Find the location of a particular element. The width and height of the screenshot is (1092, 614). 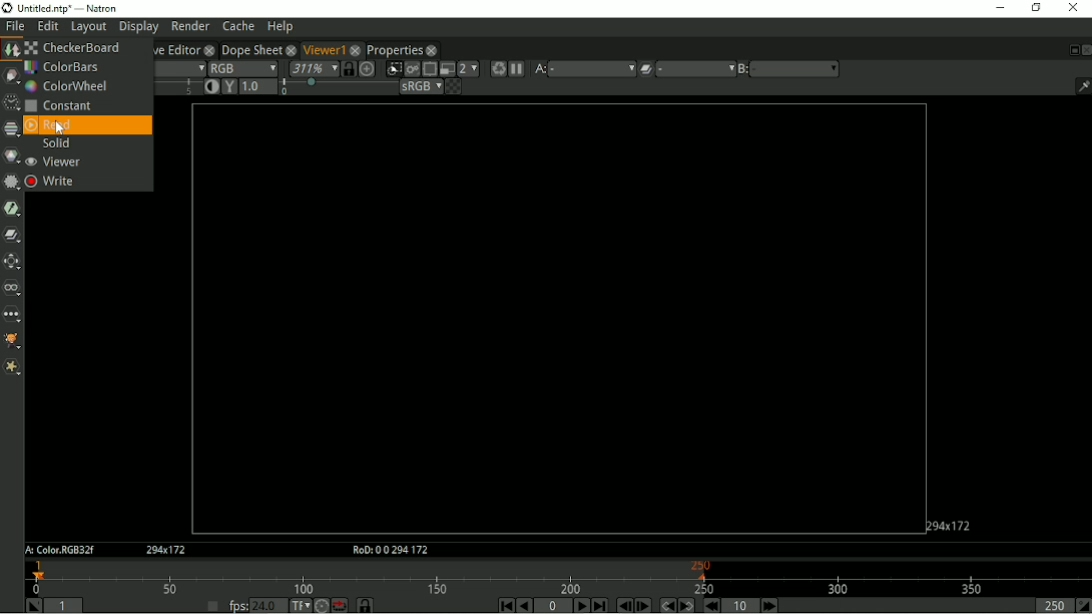

Set playback frame rate is located at coordinates (211, 604).